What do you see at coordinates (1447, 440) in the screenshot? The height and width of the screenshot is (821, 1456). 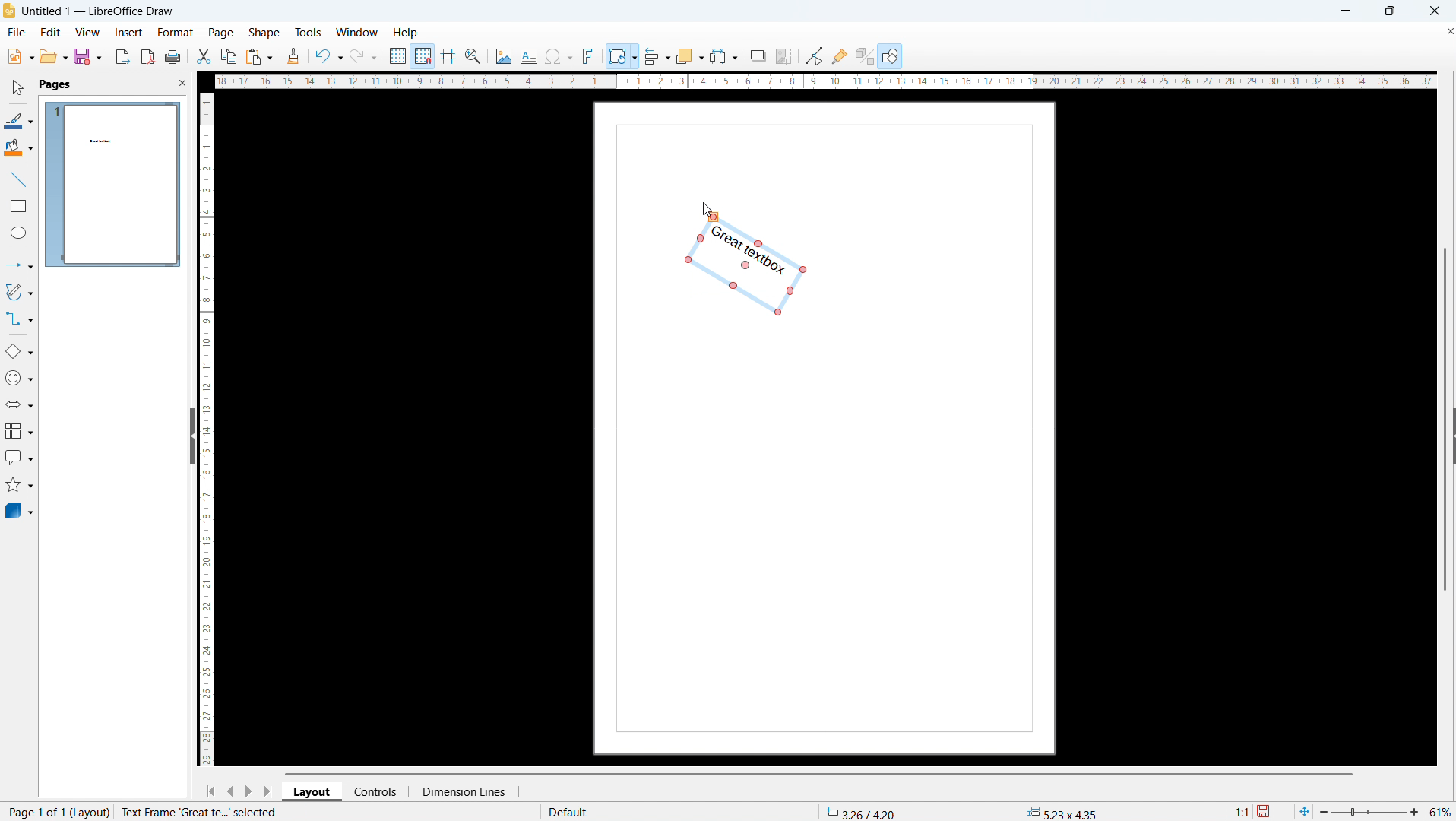 I see `Expand pane` at bounding box center [1447, 440].